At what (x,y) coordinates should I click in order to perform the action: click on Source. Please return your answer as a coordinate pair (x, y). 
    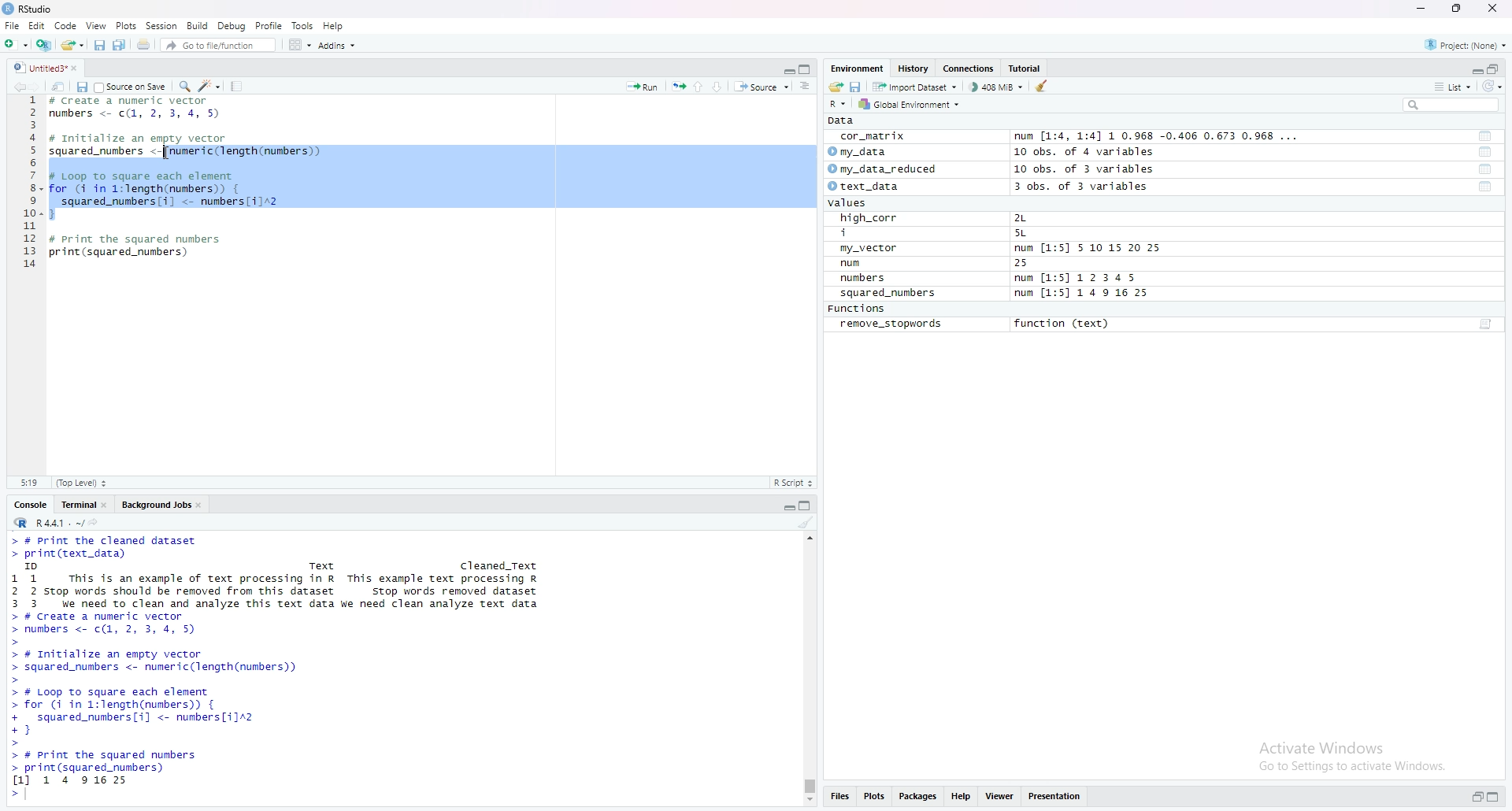
    Looking at the image, I should click on (762, 86).